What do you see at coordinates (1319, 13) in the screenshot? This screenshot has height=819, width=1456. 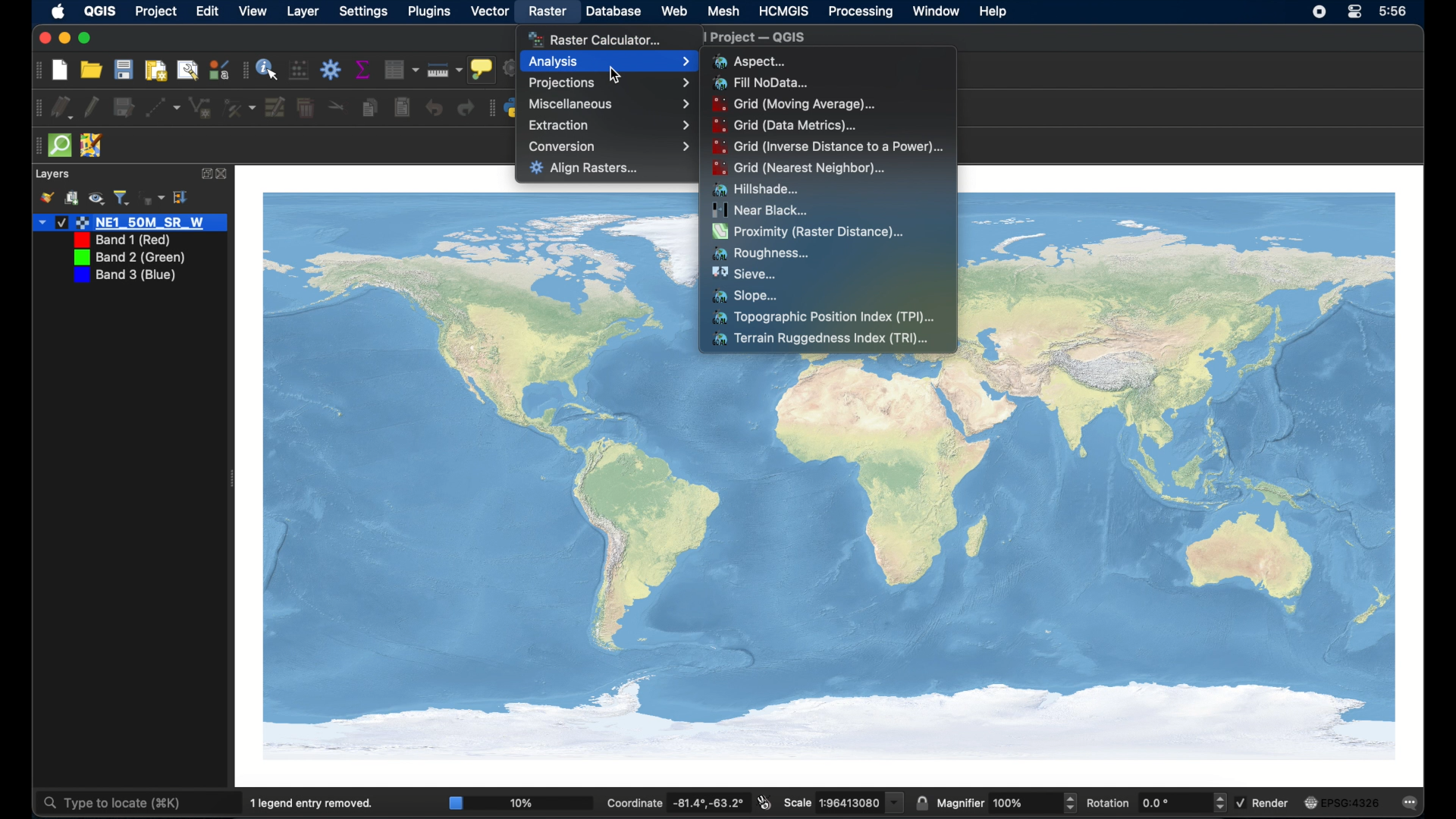 I see `screen recorder icon` at bounding box center [1319, 13].